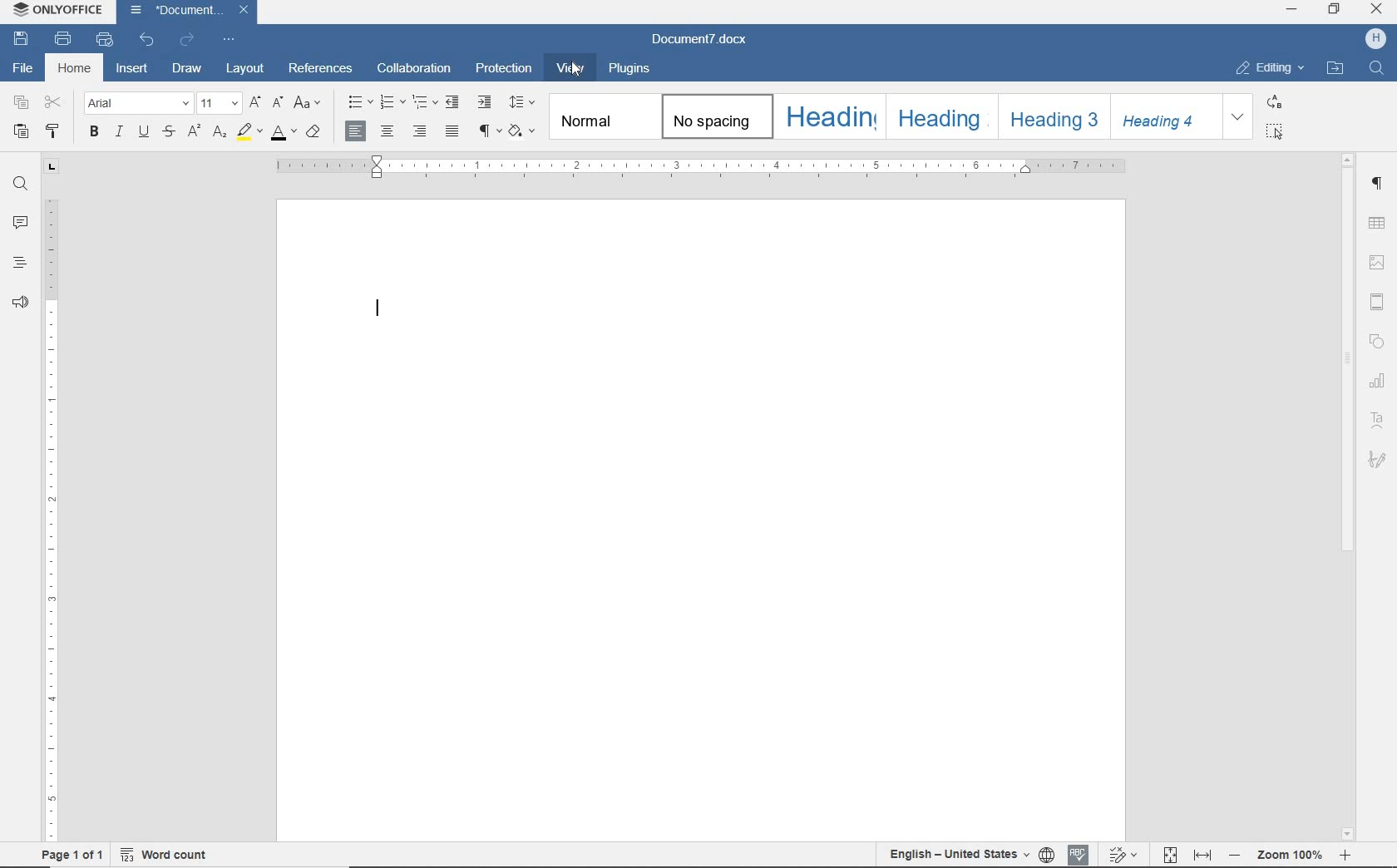  Describe the element at coordinates (21, 186) in the screenshot. I see `FIND` at that location.